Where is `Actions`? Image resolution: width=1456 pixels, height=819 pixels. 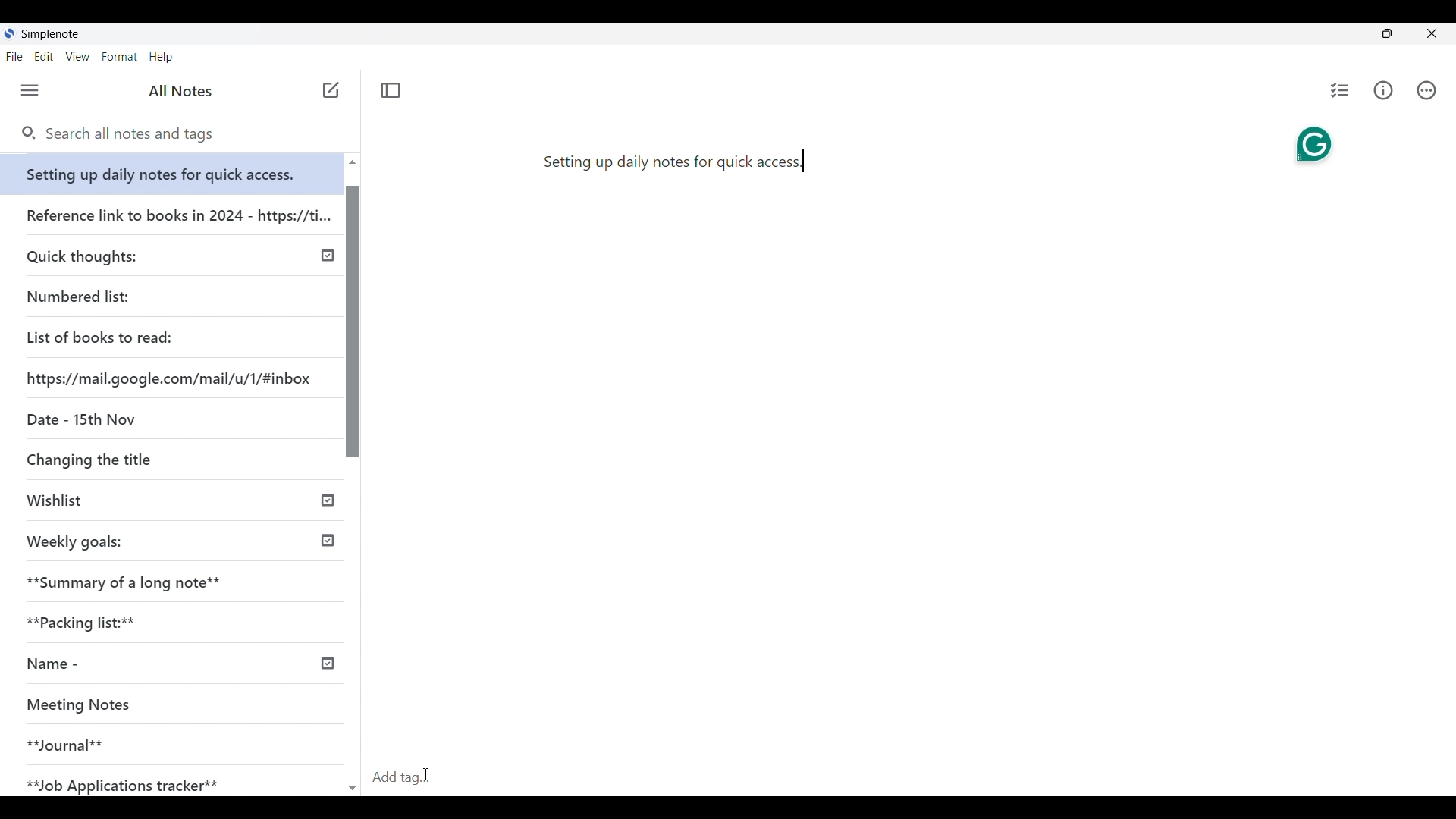 Actions is located at coordinates (1425, 89).